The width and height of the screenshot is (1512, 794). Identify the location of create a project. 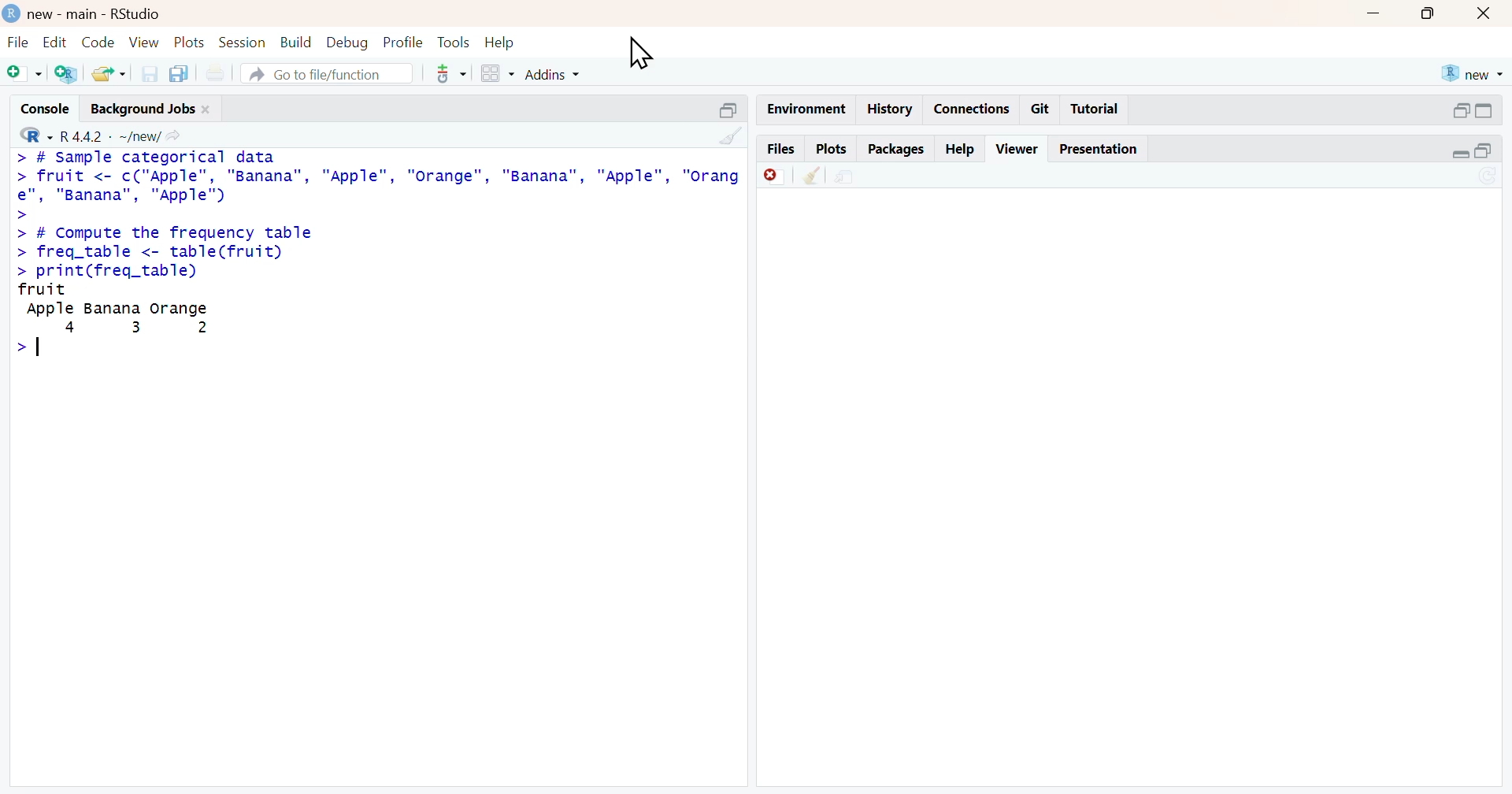
(69, 74).